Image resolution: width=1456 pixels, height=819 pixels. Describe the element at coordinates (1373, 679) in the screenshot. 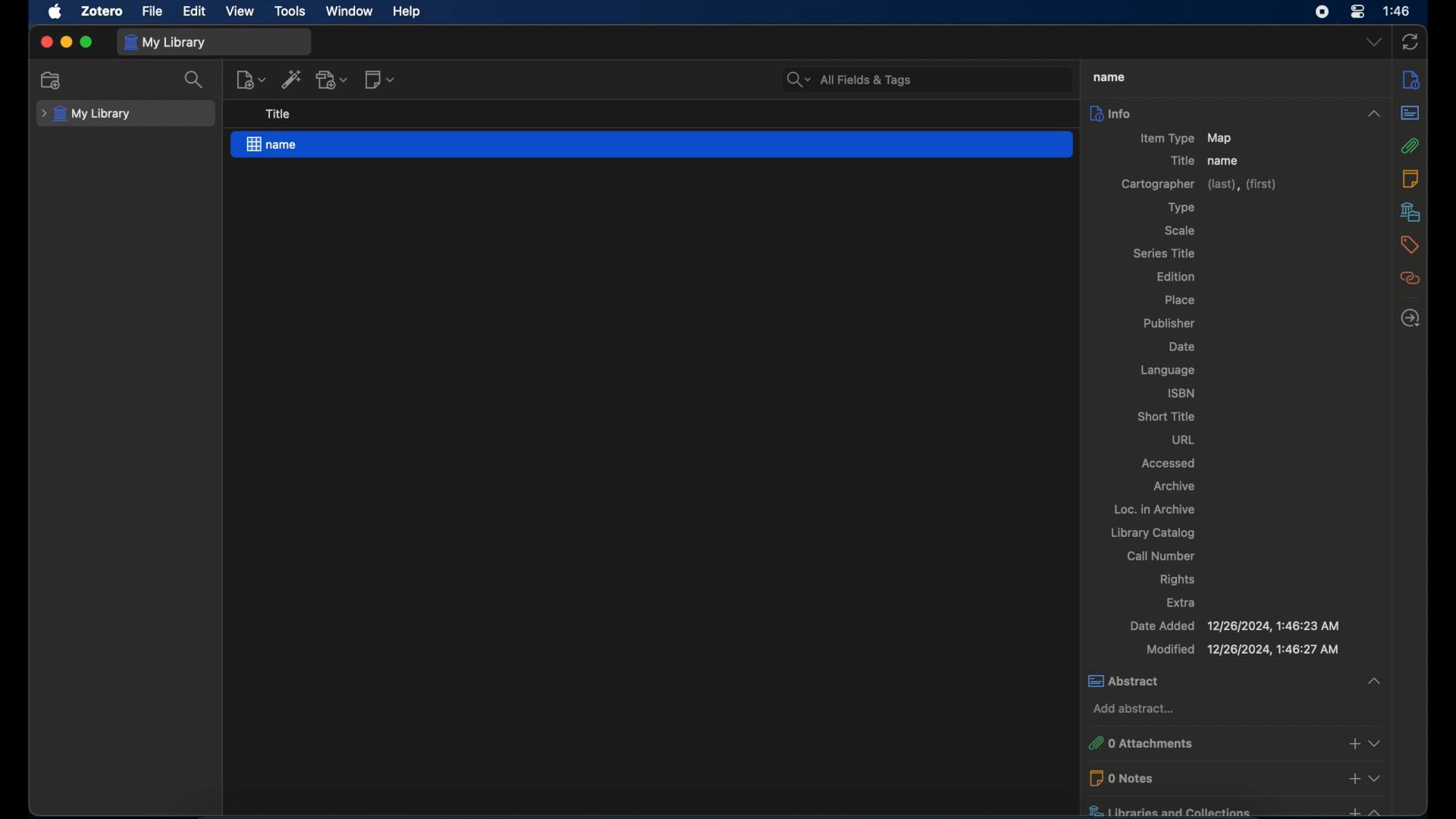

I see `Collapse or expand ` at that location.